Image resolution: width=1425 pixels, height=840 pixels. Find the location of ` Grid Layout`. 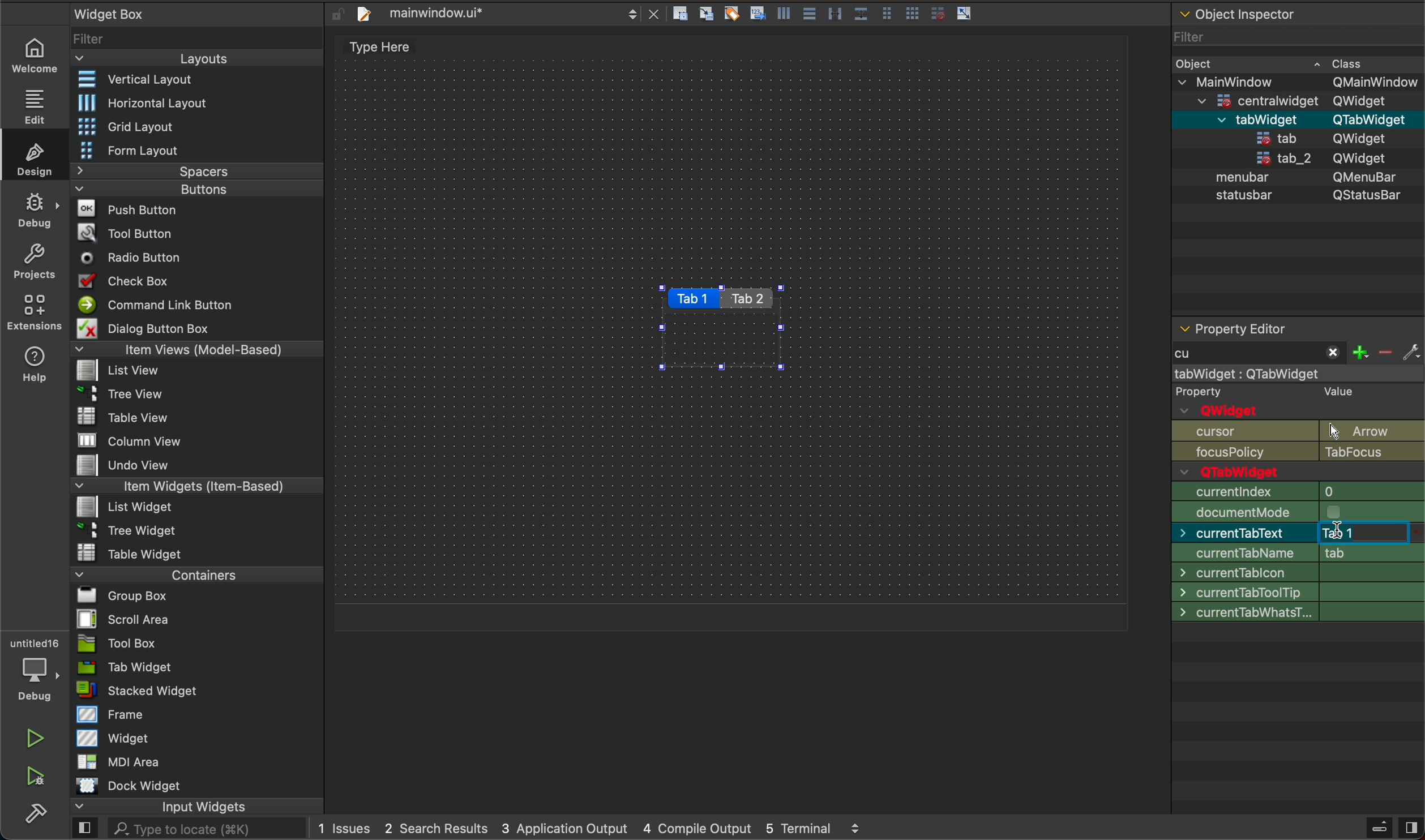

 Grid Layout is located at coordinates (120, 126).